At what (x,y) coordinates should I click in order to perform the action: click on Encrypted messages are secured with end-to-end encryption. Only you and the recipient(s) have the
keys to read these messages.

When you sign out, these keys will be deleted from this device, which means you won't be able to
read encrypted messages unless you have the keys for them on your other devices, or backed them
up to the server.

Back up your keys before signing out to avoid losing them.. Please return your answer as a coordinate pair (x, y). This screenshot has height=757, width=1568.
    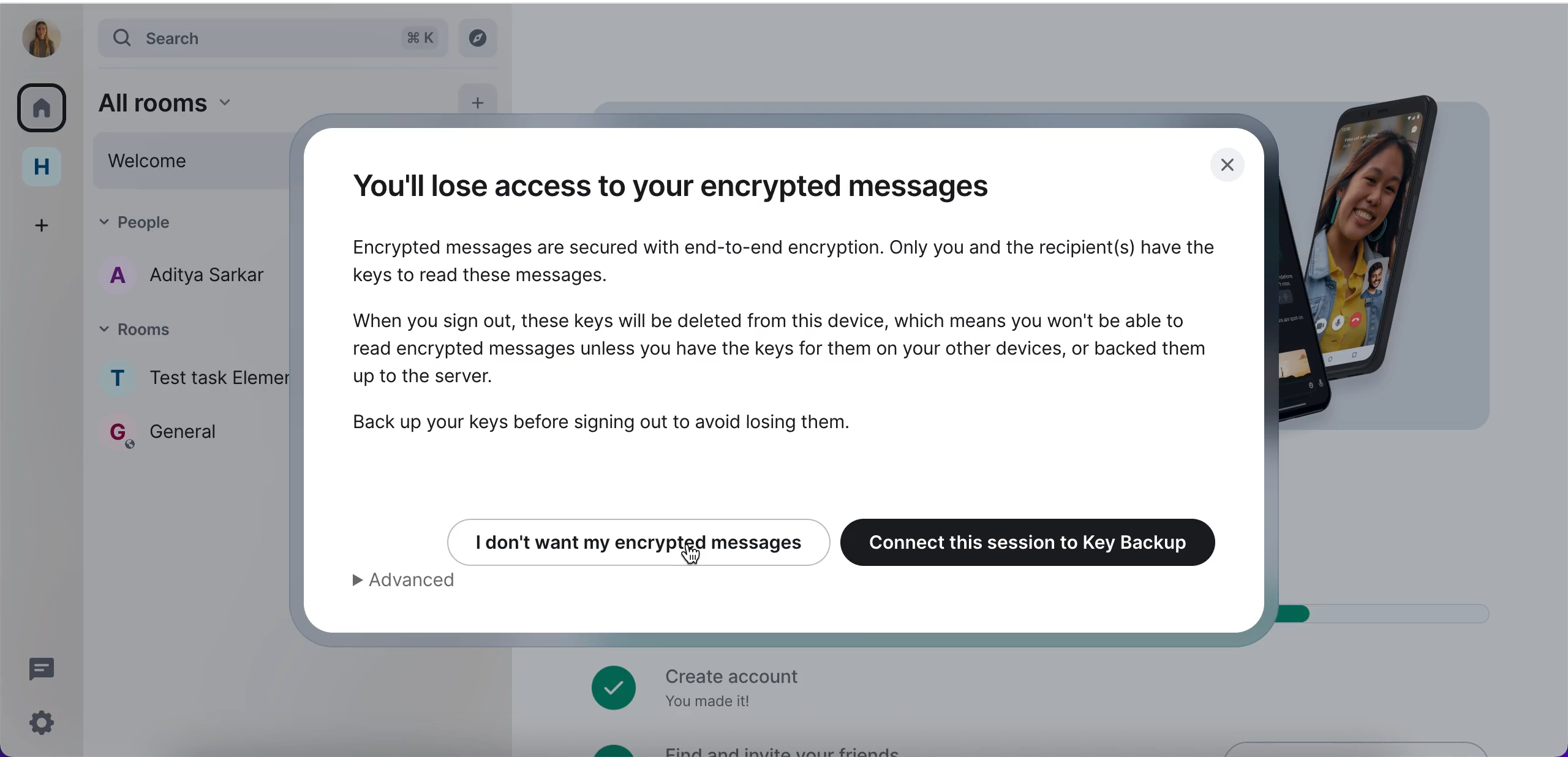
    Looking at the image, I should click on (785, 338).